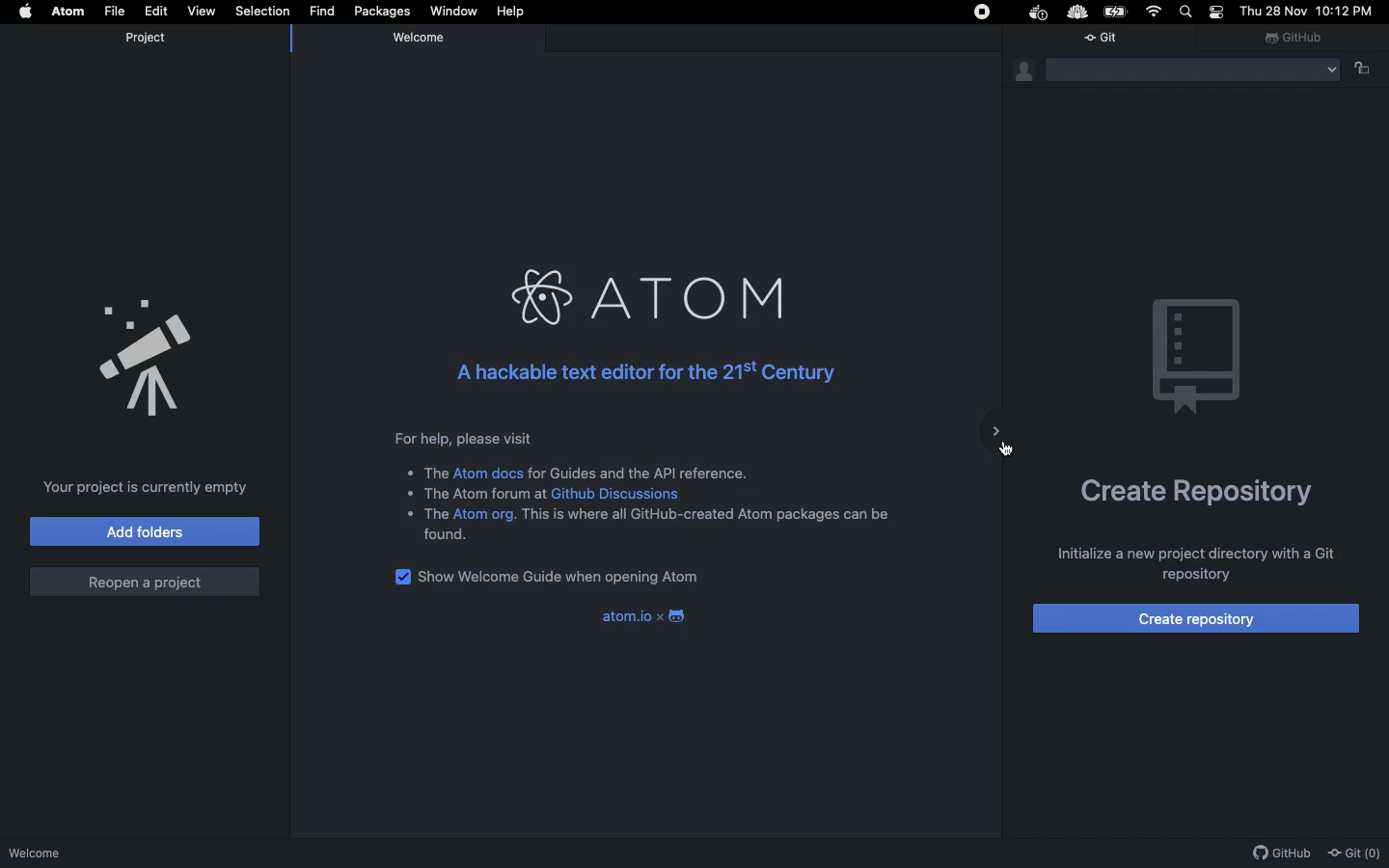 The height and width of the screenshot is (868, 1389). I want to click on Extension, so click(1080, 13).